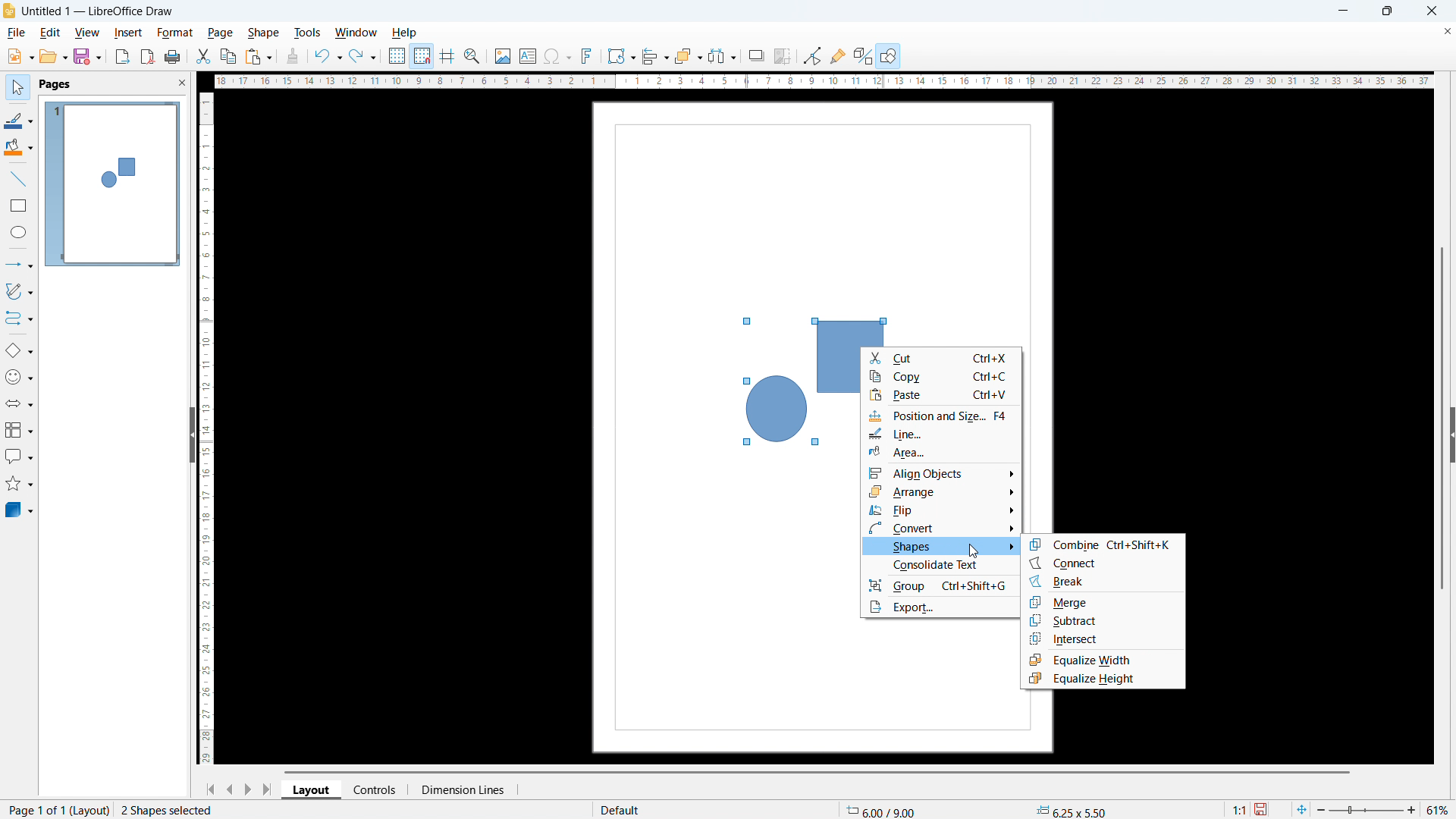  What do you see at coordinates (20, 485) in the screenshot?
I see `stars & banners` at bounding box center [20, 485].